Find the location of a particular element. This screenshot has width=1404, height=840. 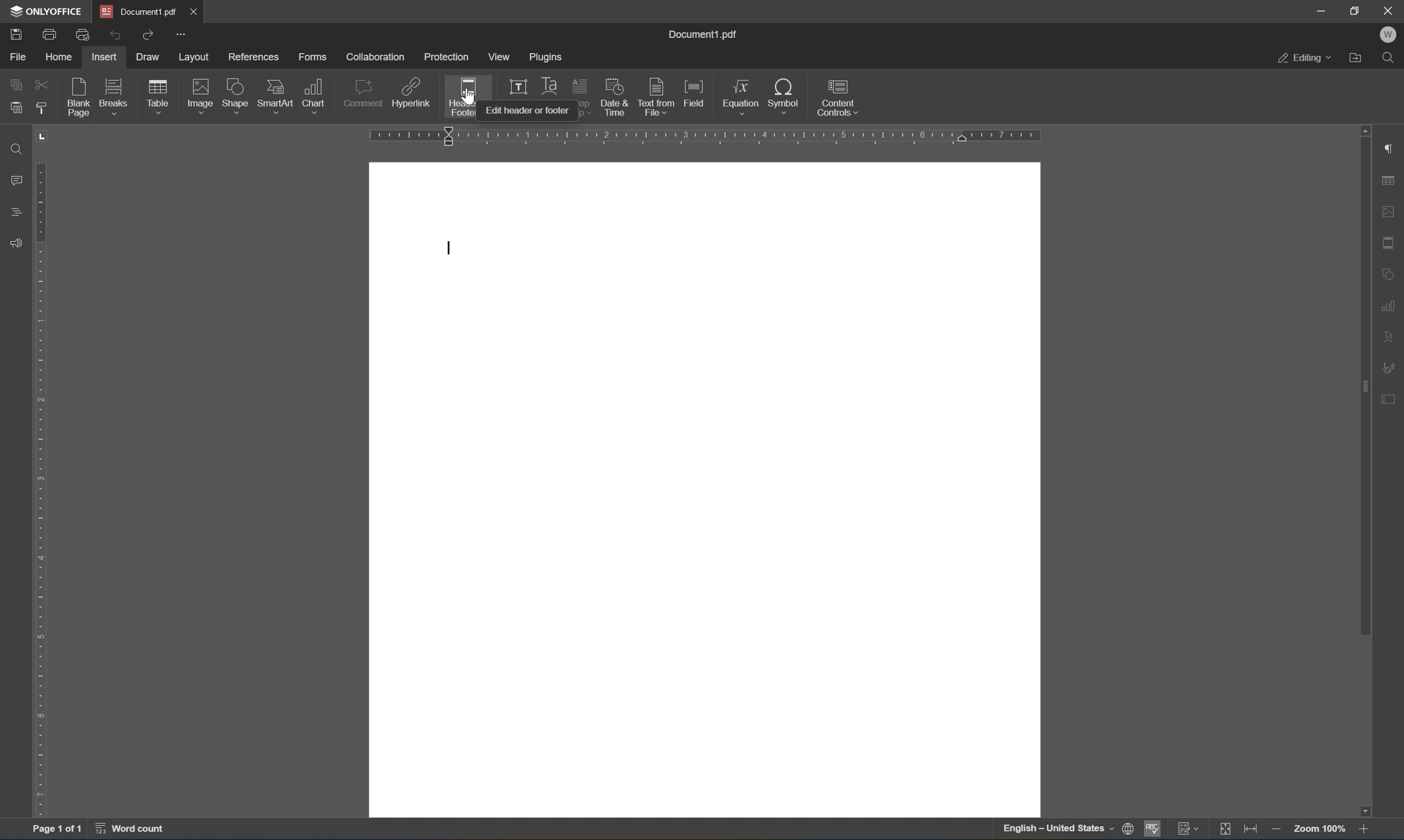

content controls is located at coordinates (838, 97).